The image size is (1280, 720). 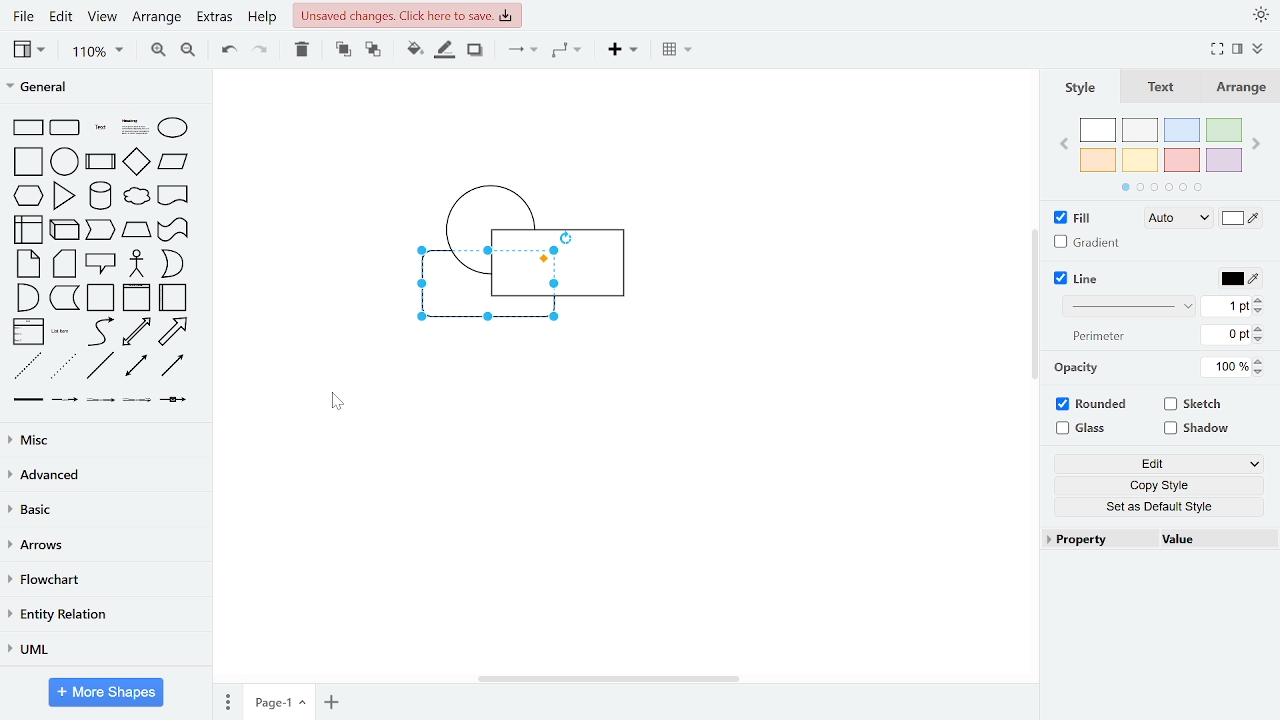 I want to click on increase perimeter, so click(x=1259, y=328).